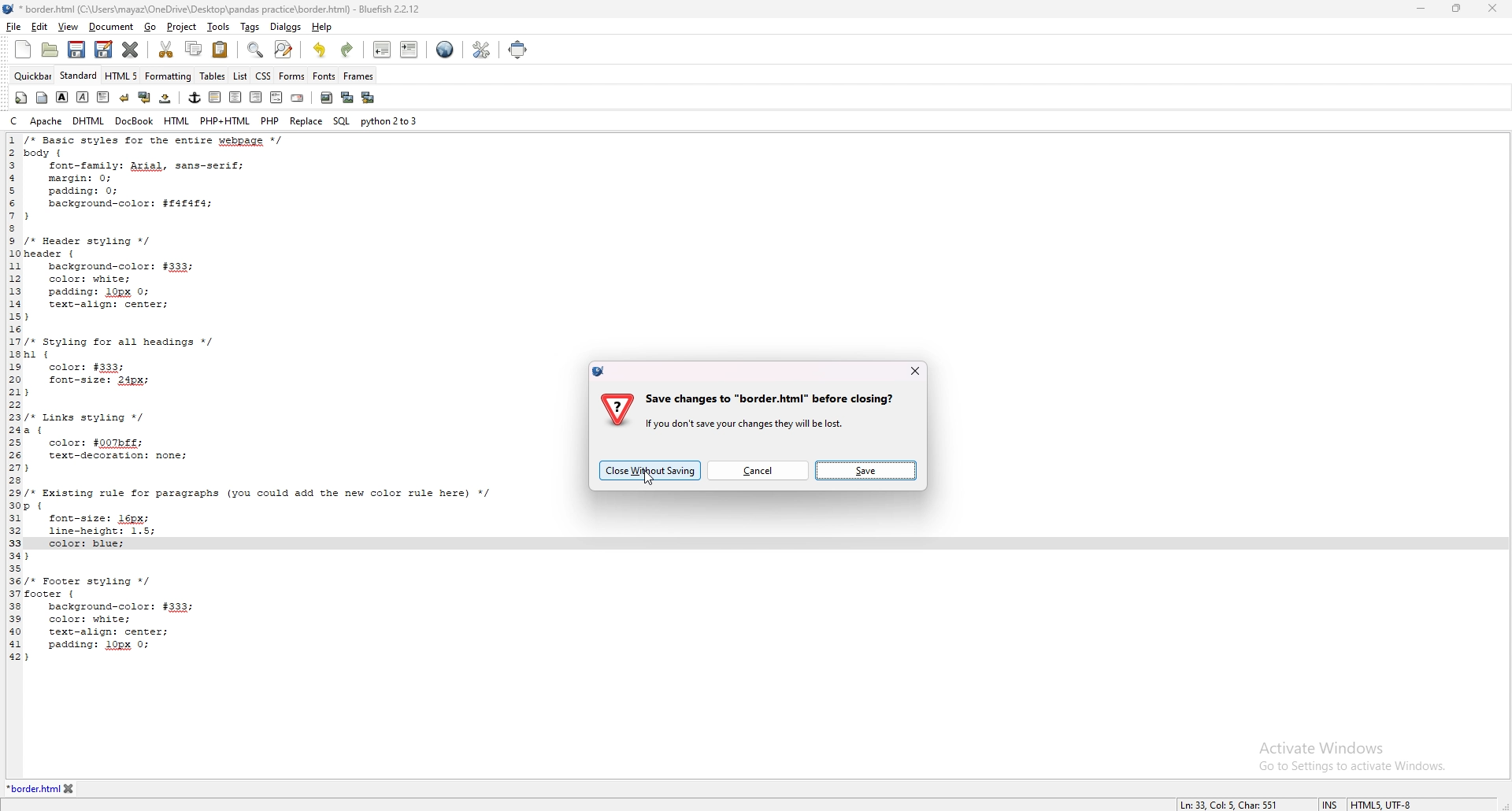 This screenshot has height=811, width=1512. What do you see at coordinates (23, 49) in the screenshot?
I see `new` at bounding box center [23, 49].